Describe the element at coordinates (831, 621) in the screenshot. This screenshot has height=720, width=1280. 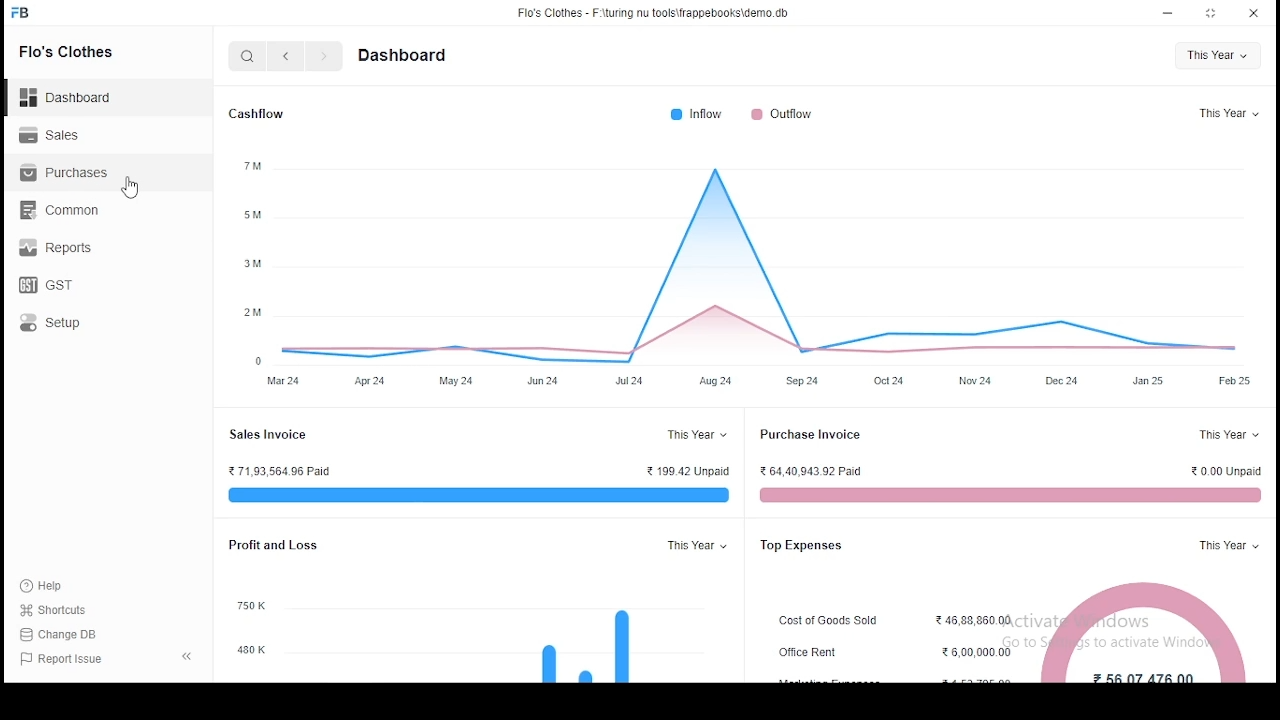
I see `cost of goods sold` at that location.